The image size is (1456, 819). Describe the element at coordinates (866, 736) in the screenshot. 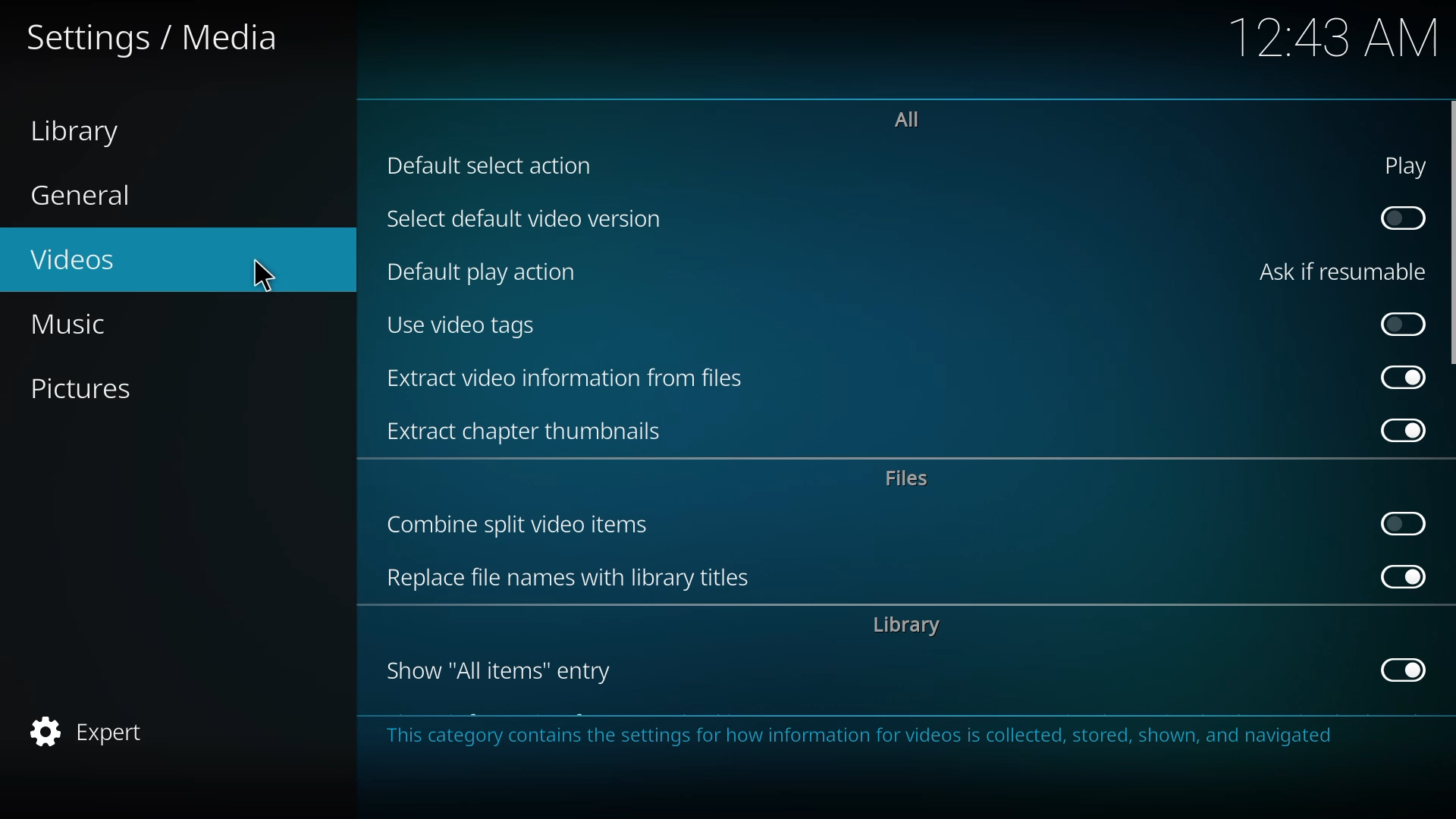

I see `info` at that location.